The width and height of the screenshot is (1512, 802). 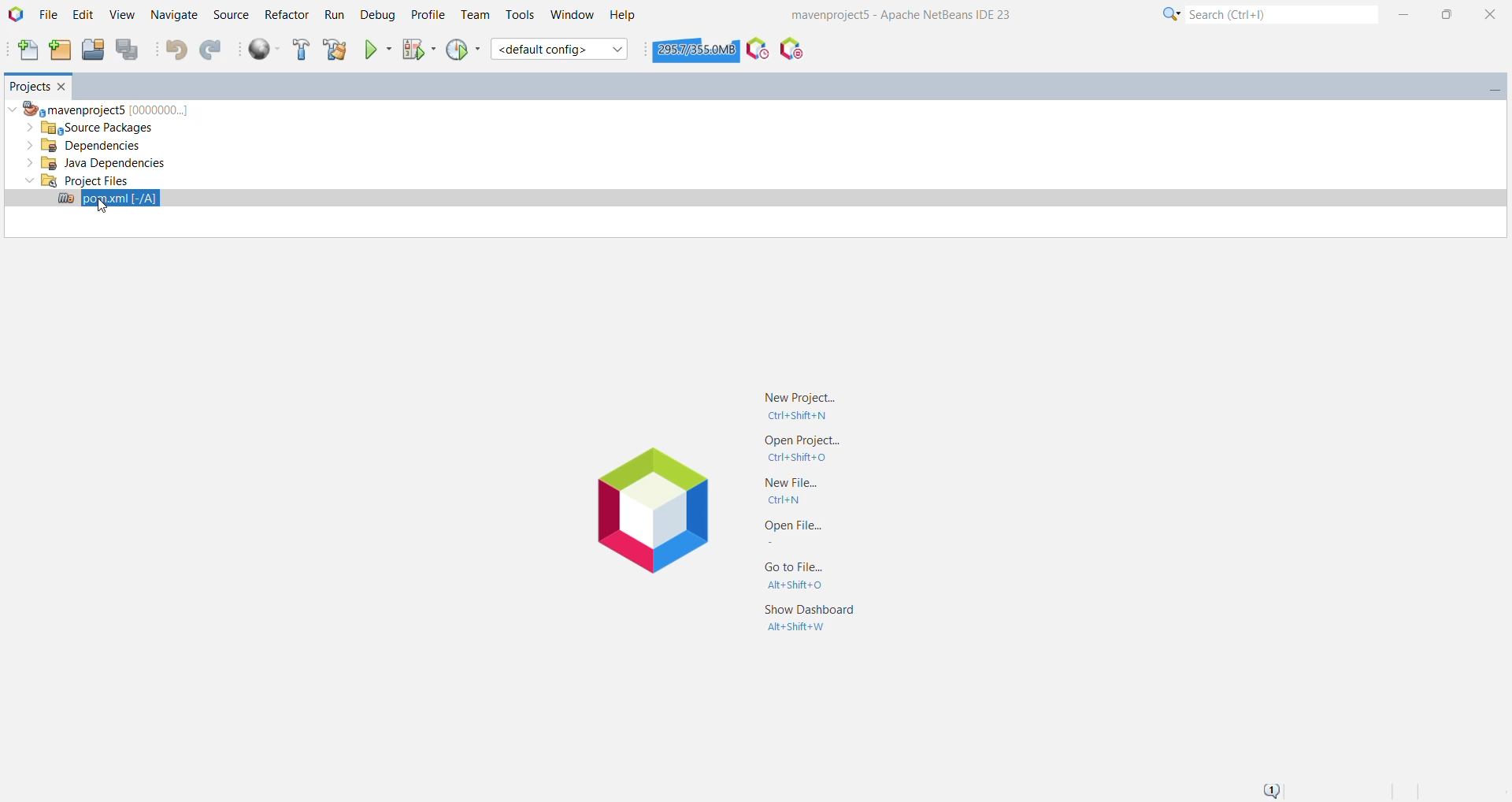 I want to click on Pause I/O Checks, so click(x=790, y=49).